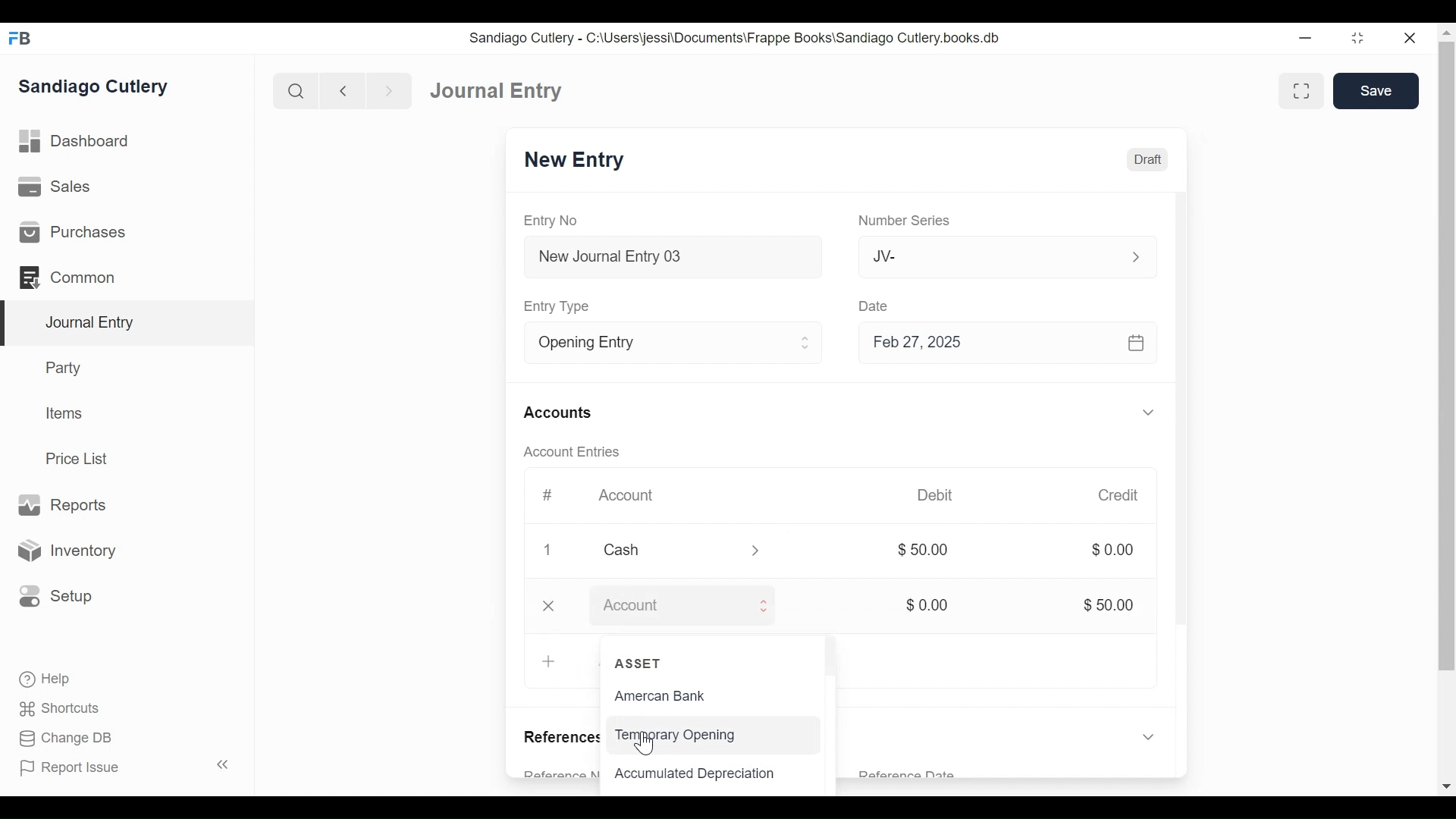 The height and width of the screenshot is (819, 1456). I want to click on Cursor, so click(647, 742).